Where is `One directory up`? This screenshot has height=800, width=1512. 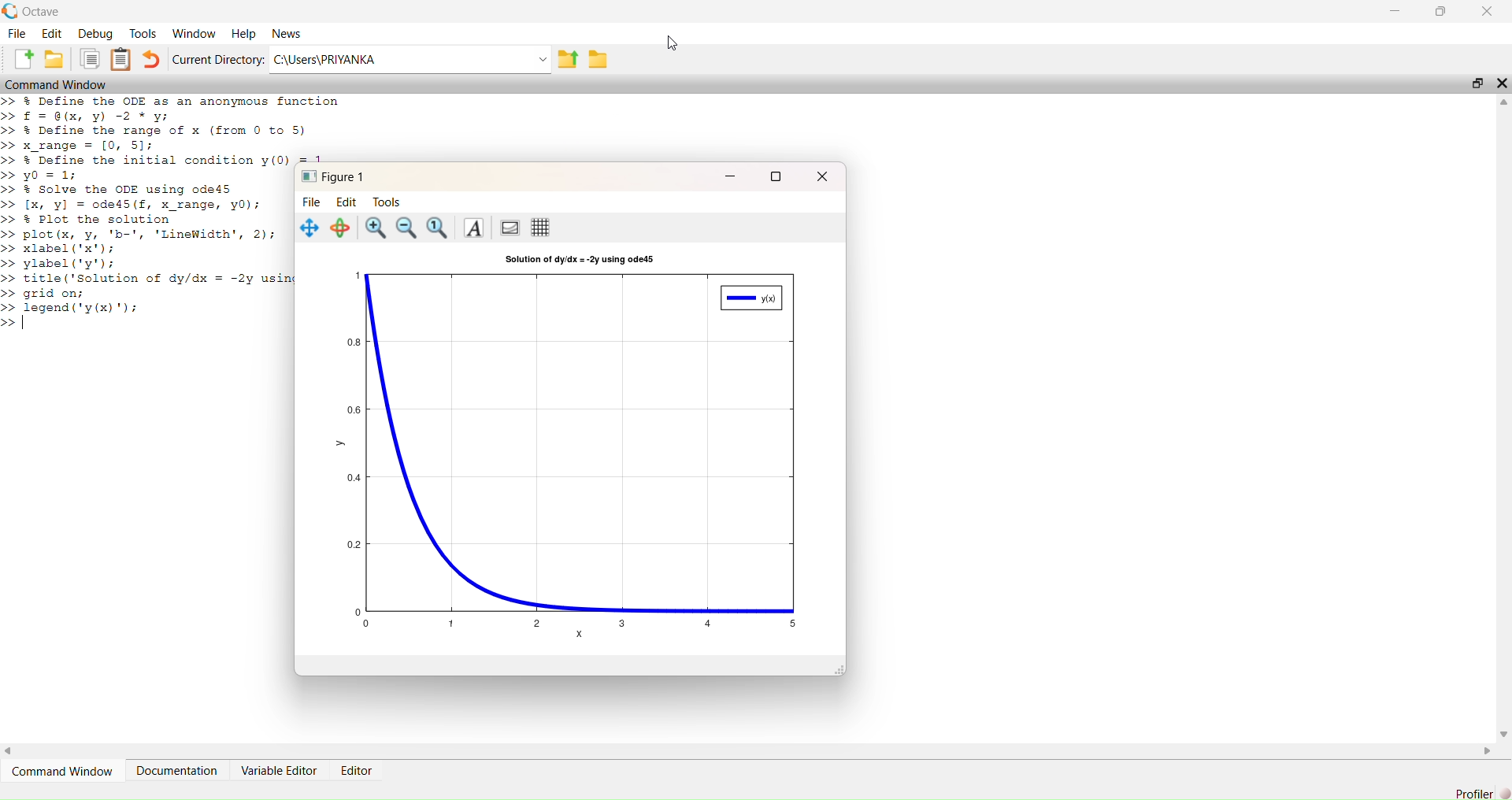 One directory up is located at coordinates (568, 58).